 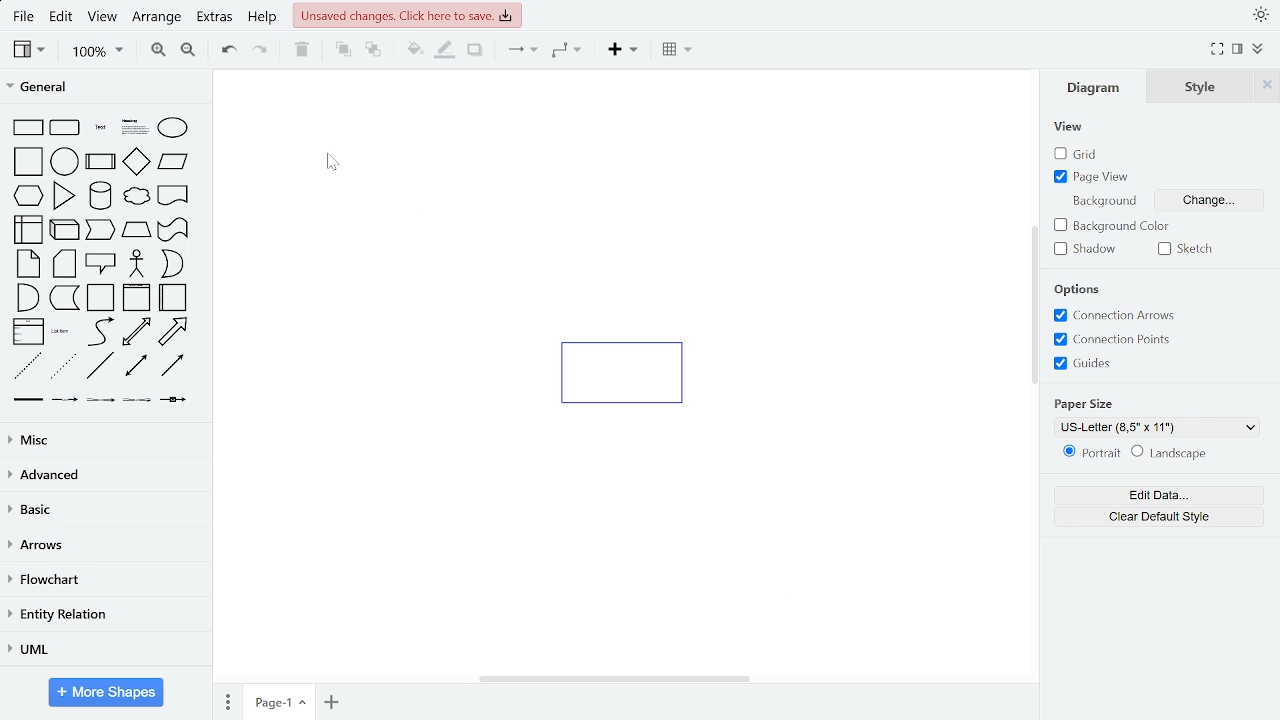 I want to click on guides, so click(x=1112, y=363).